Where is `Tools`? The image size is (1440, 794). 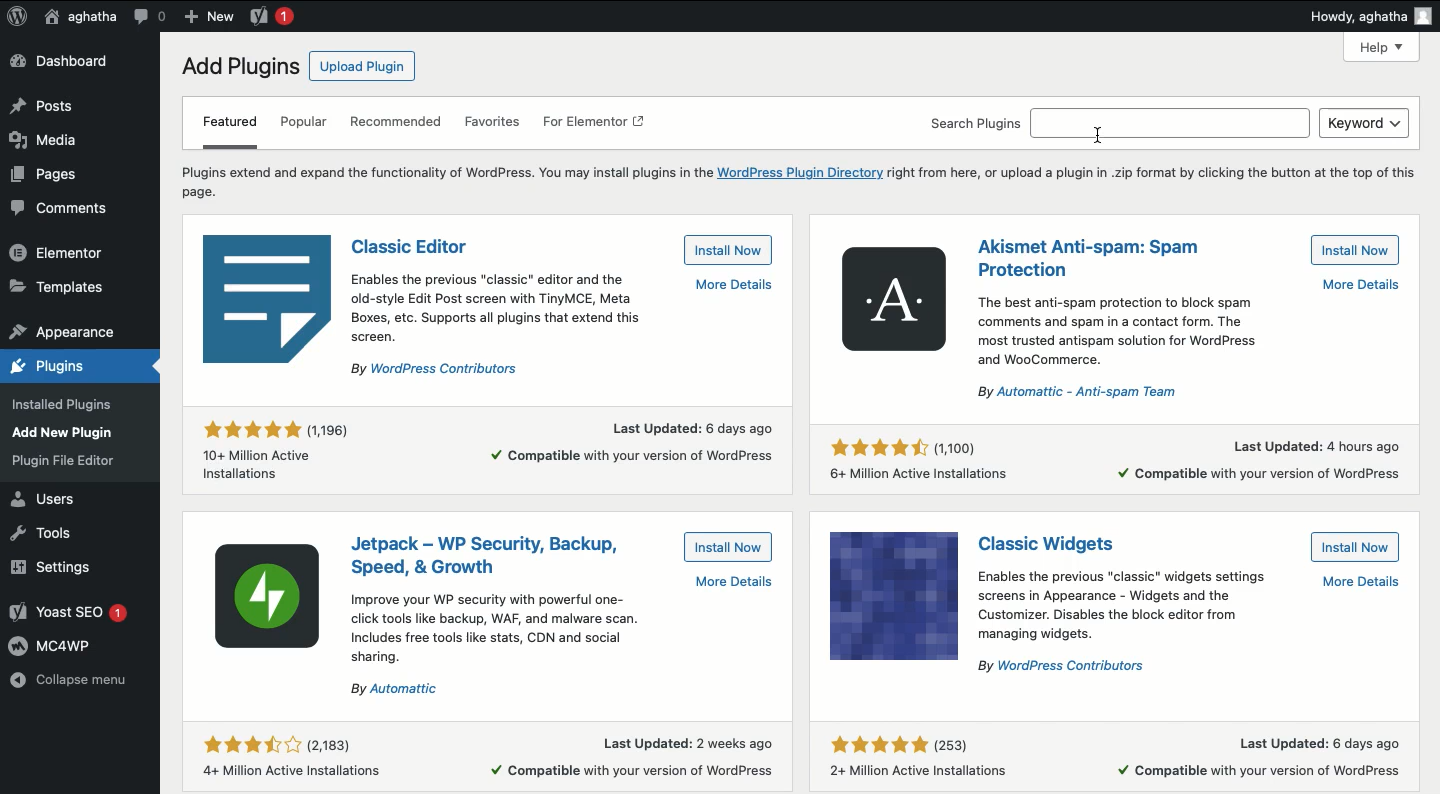 Tools is located at coordinates (50, 534).